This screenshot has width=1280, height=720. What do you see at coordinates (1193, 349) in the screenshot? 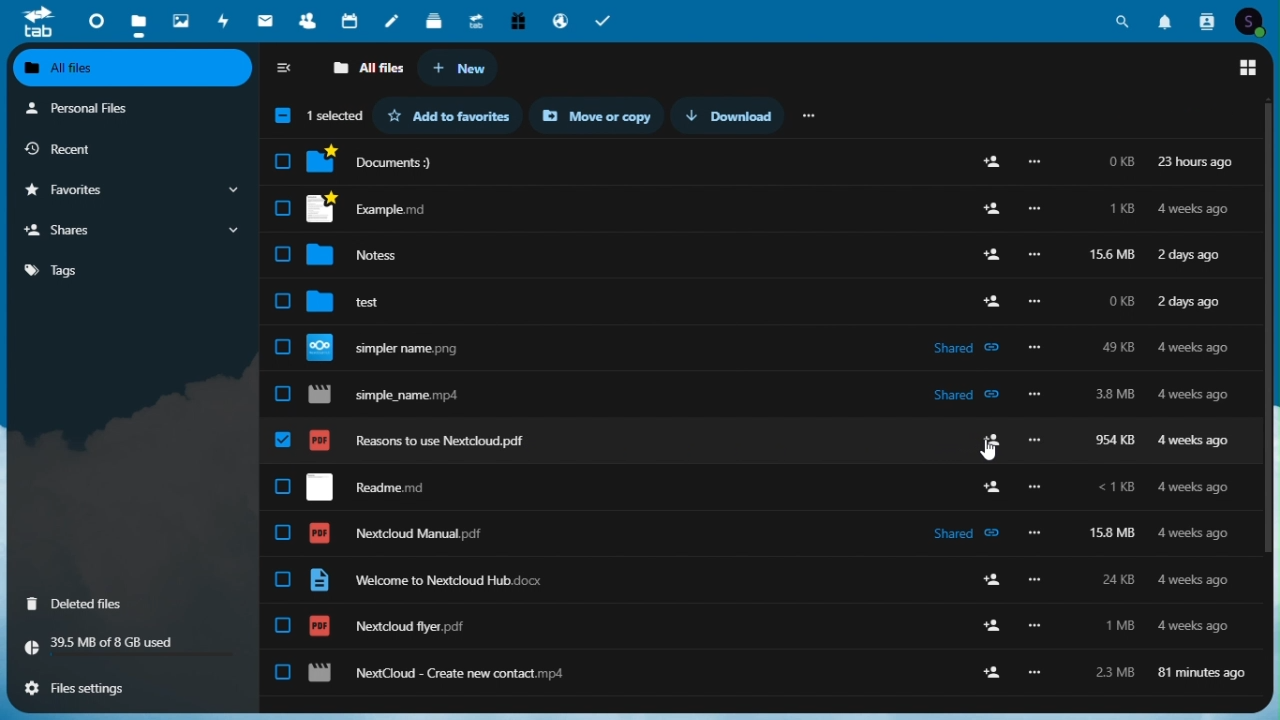
I see `4 weeks ago` at bounding box center [1193, 349].